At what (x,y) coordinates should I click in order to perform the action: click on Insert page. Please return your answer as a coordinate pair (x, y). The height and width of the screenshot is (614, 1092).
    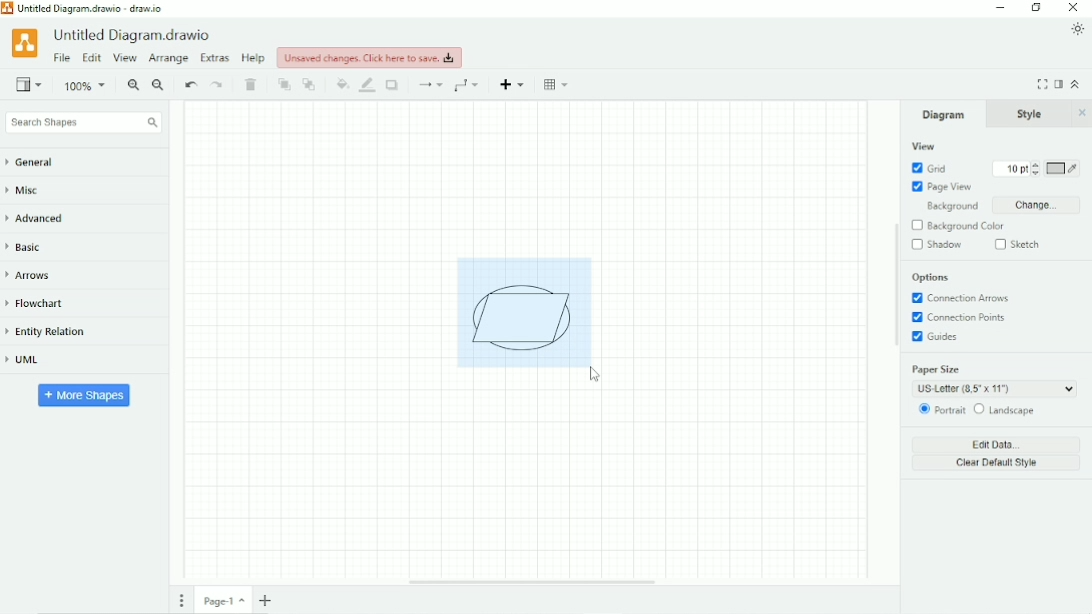
    Looking at the image, I should click on (268, 600).